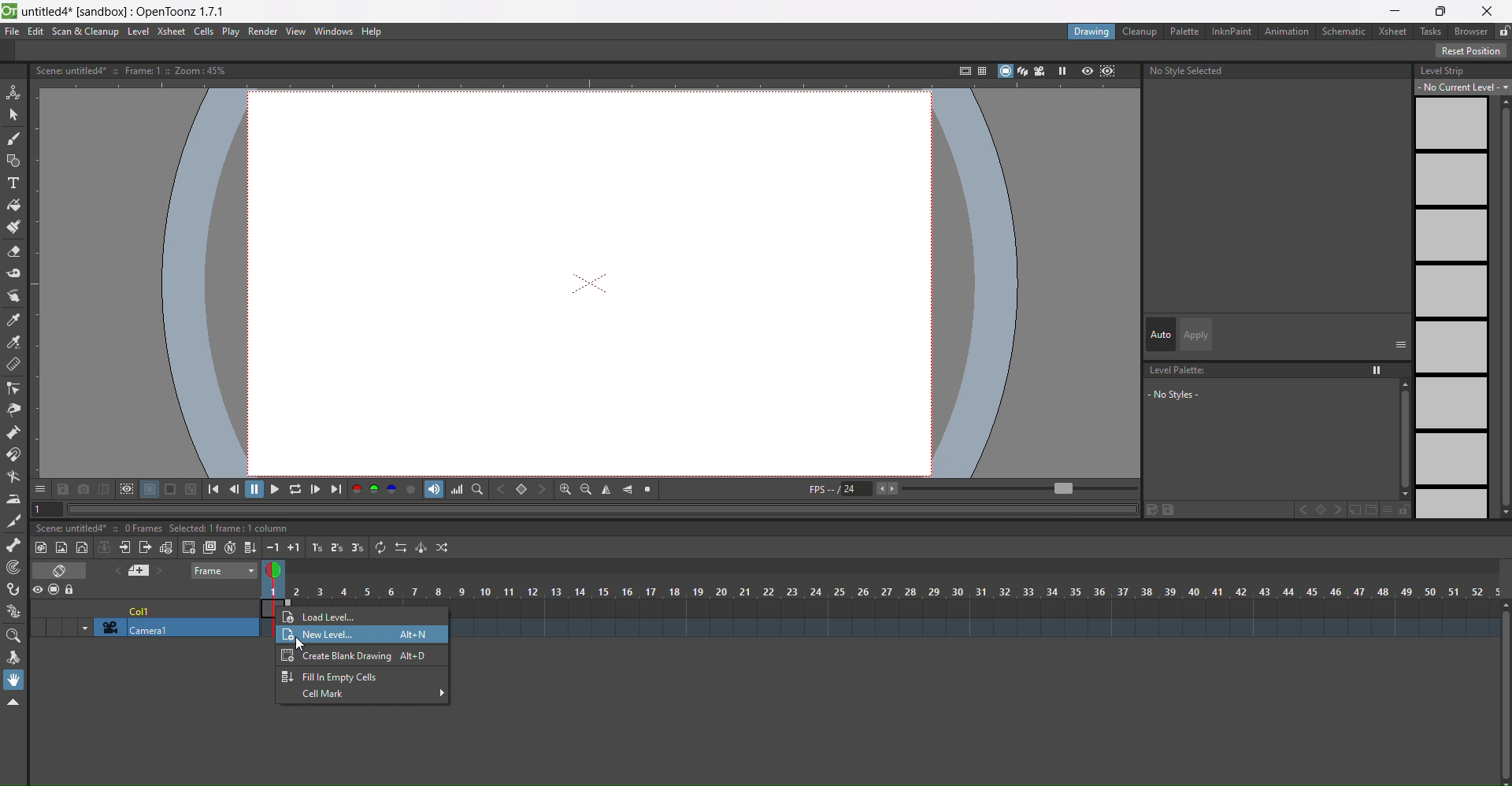 Image resolution: width=1512 pixels, height=786 pixels. Describe the element at coordinates (358, 654) in the screenshot. I see `create blank drawing` at that location.